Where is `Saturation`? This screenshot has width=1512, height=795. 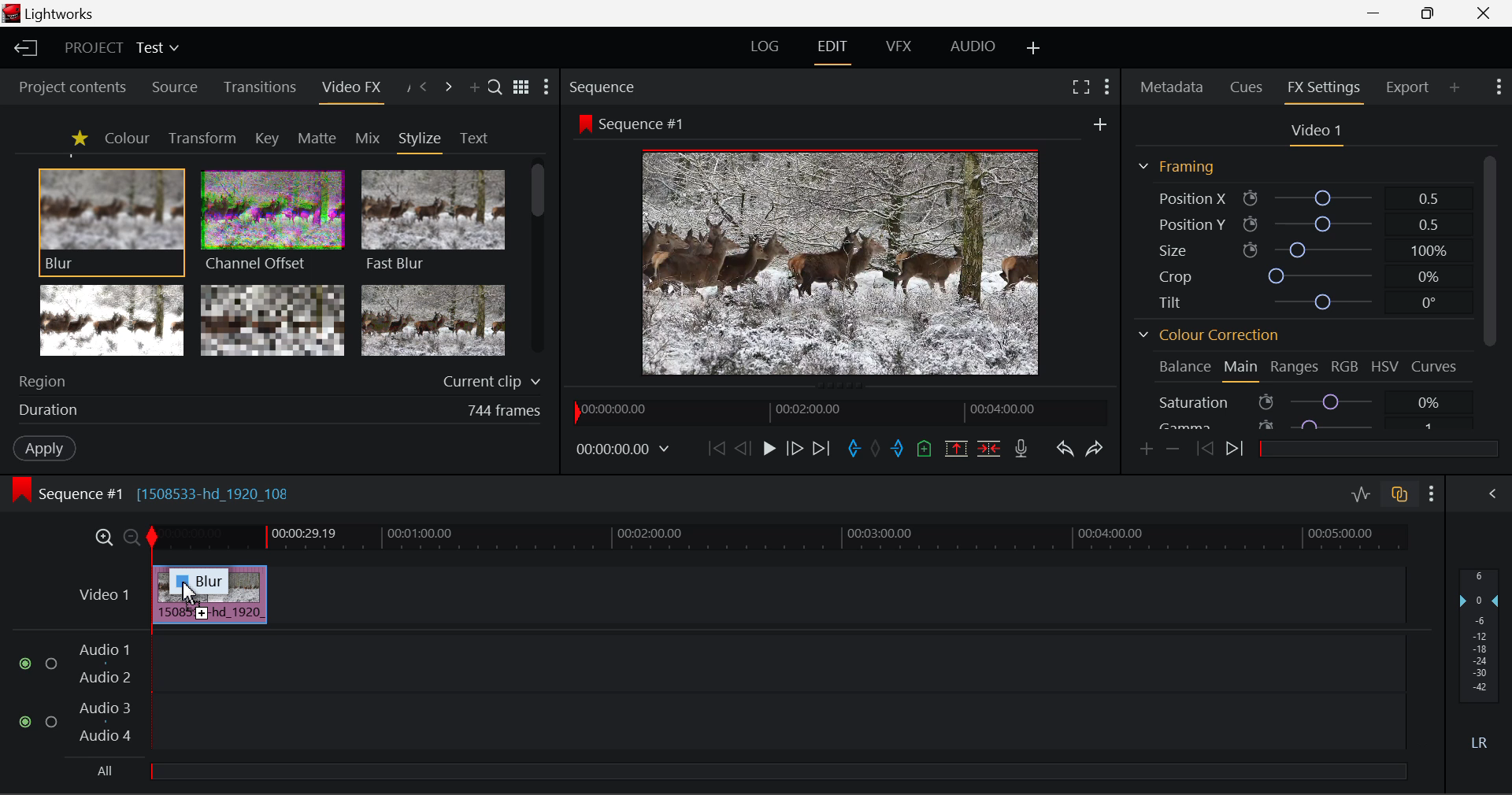 Saturation is located at coordinates (1310, 401).